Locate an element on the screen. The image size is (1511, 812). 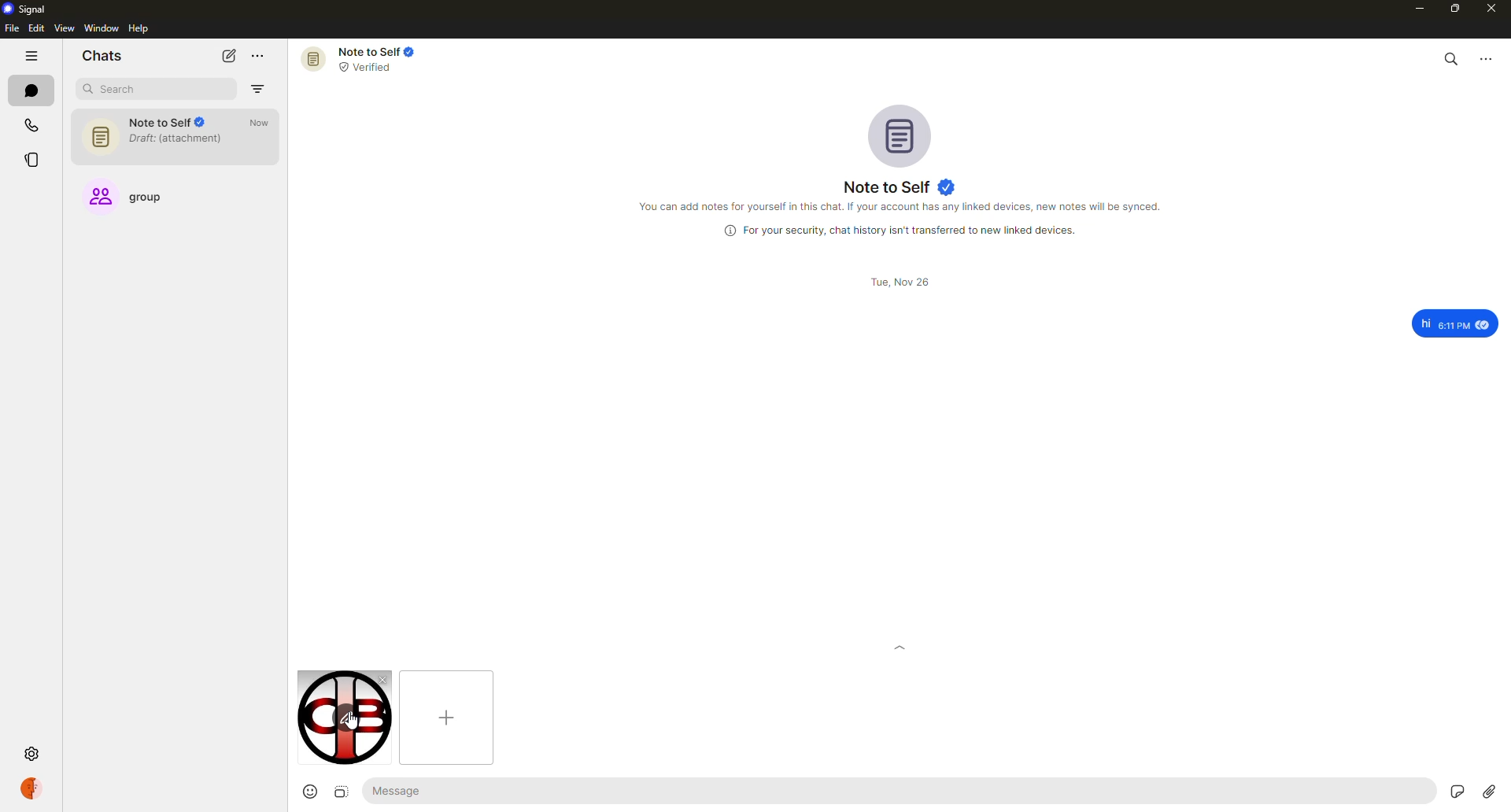
view is located at coordinates (64, 29).